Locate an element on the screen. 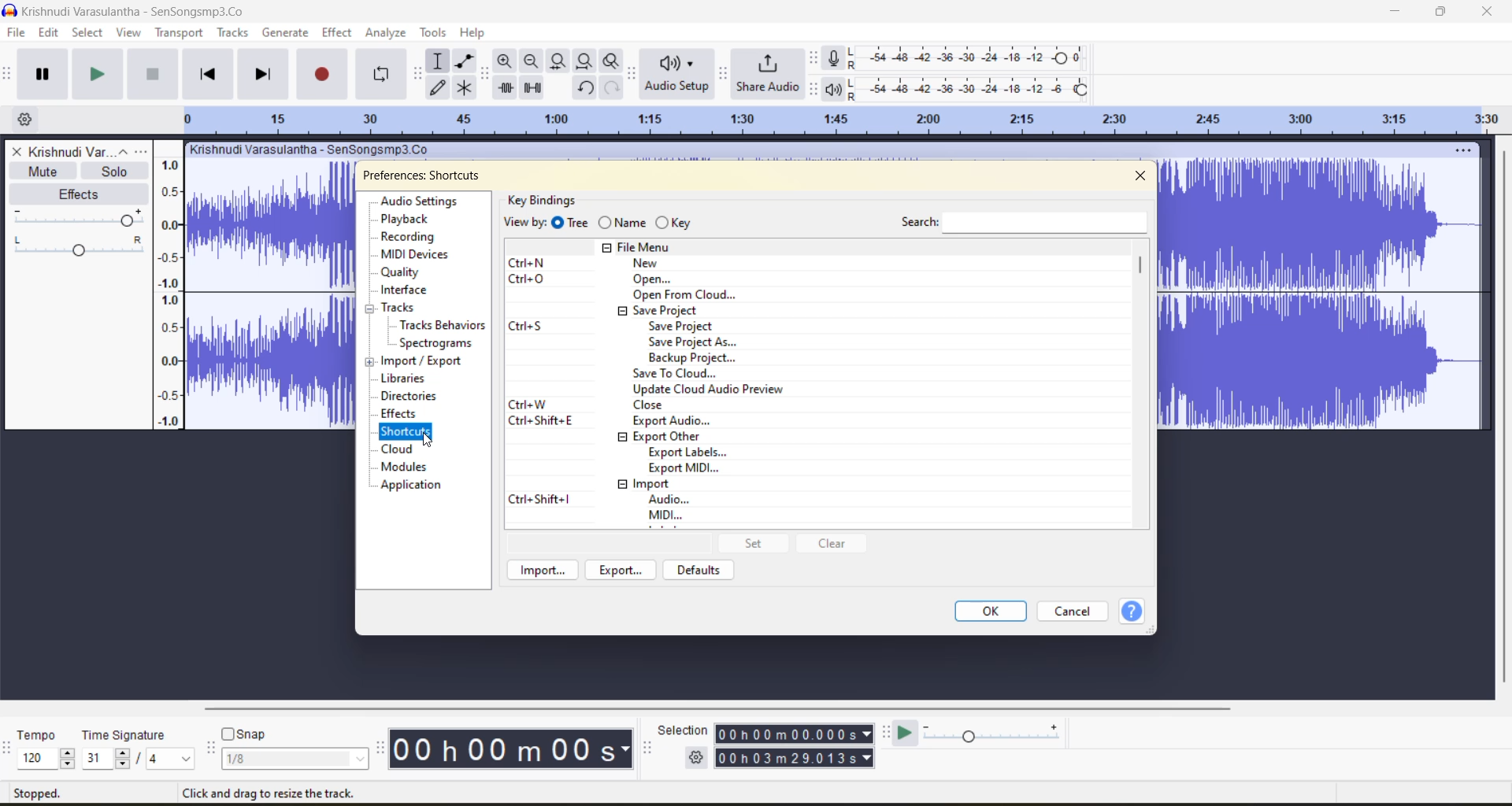 Image resolution: width=1512 pixels, height=806 pixels. tracks behaviours is located at coordinates (443, 325).